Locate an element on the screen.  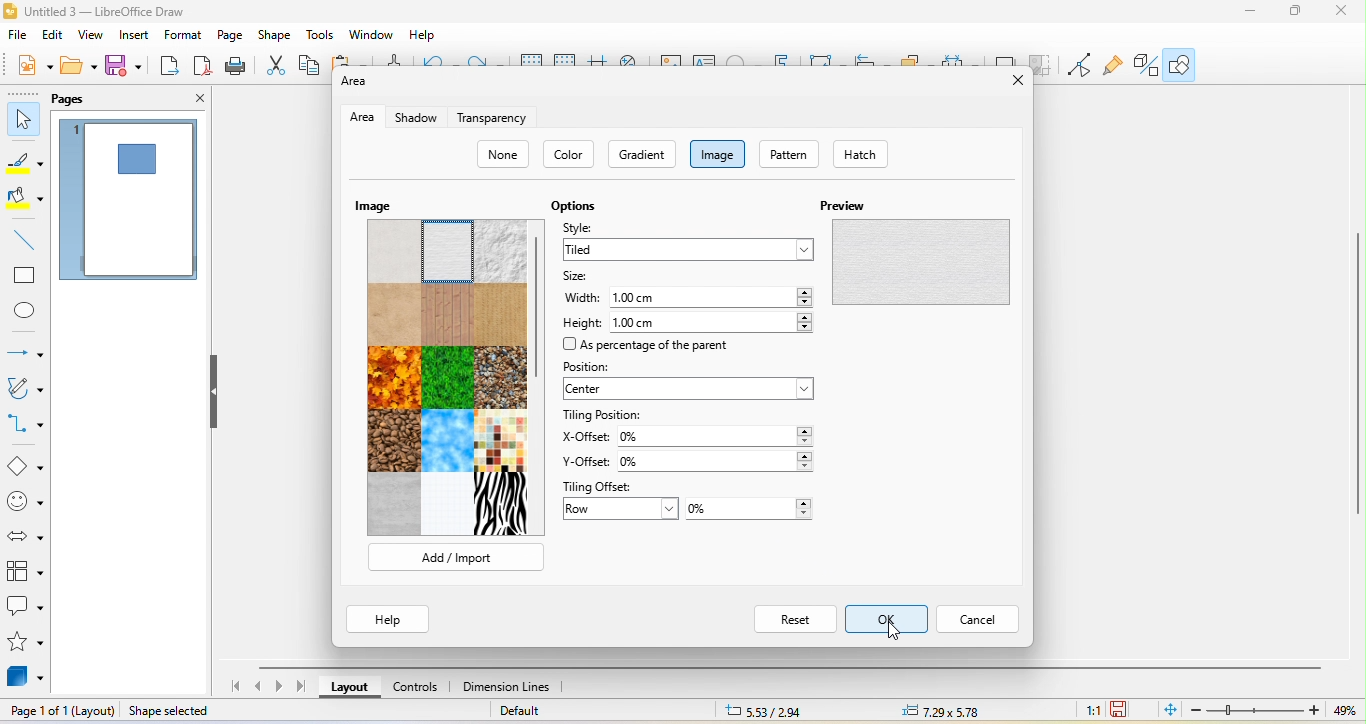
point edit mode is located at coordinates (1079, 65).